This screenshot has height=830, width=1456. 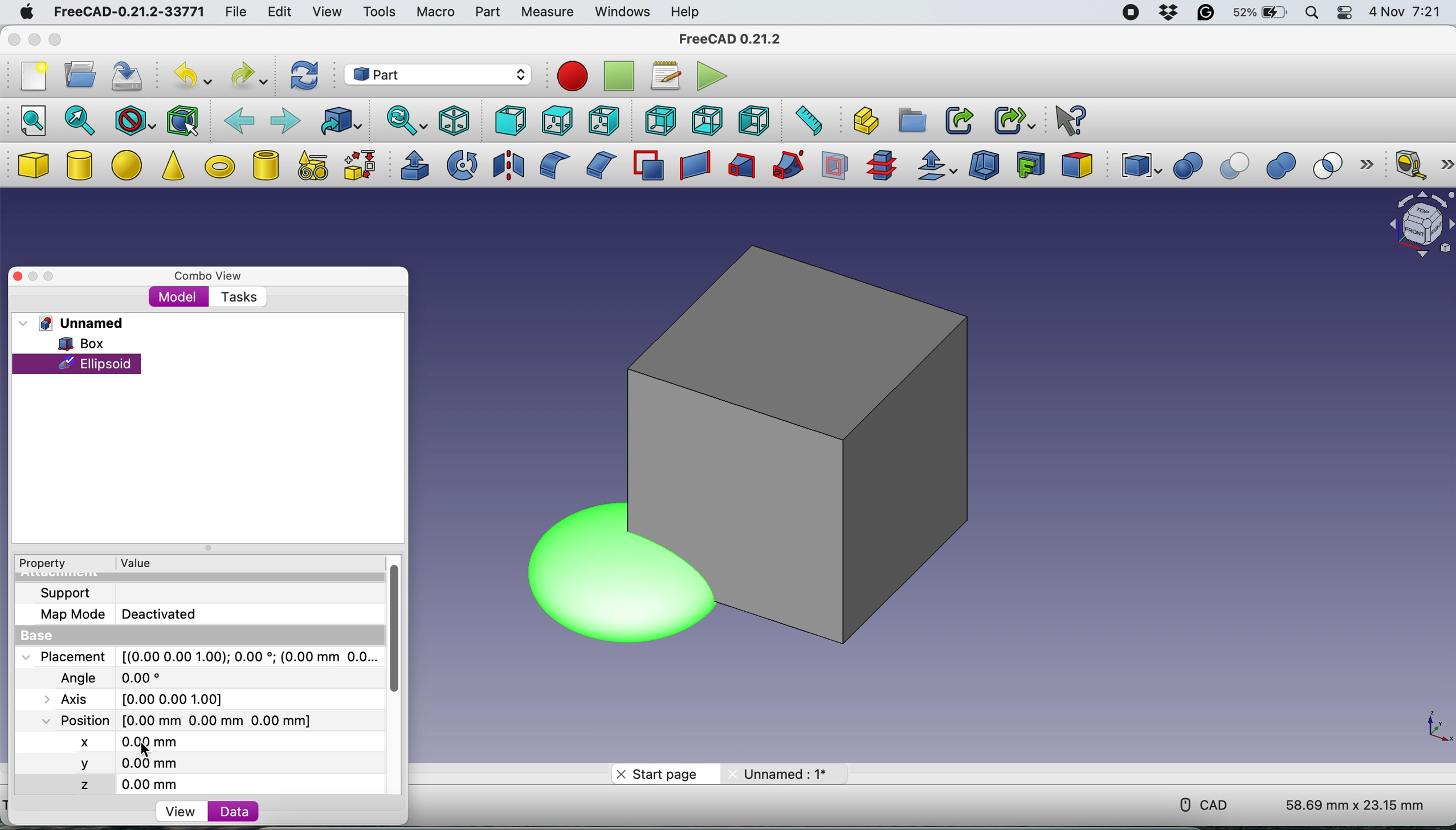 What do you see at coordinates (1031, 164) in the screenshot?
I see `create projection on surface` at bounding box center [1031, 164].